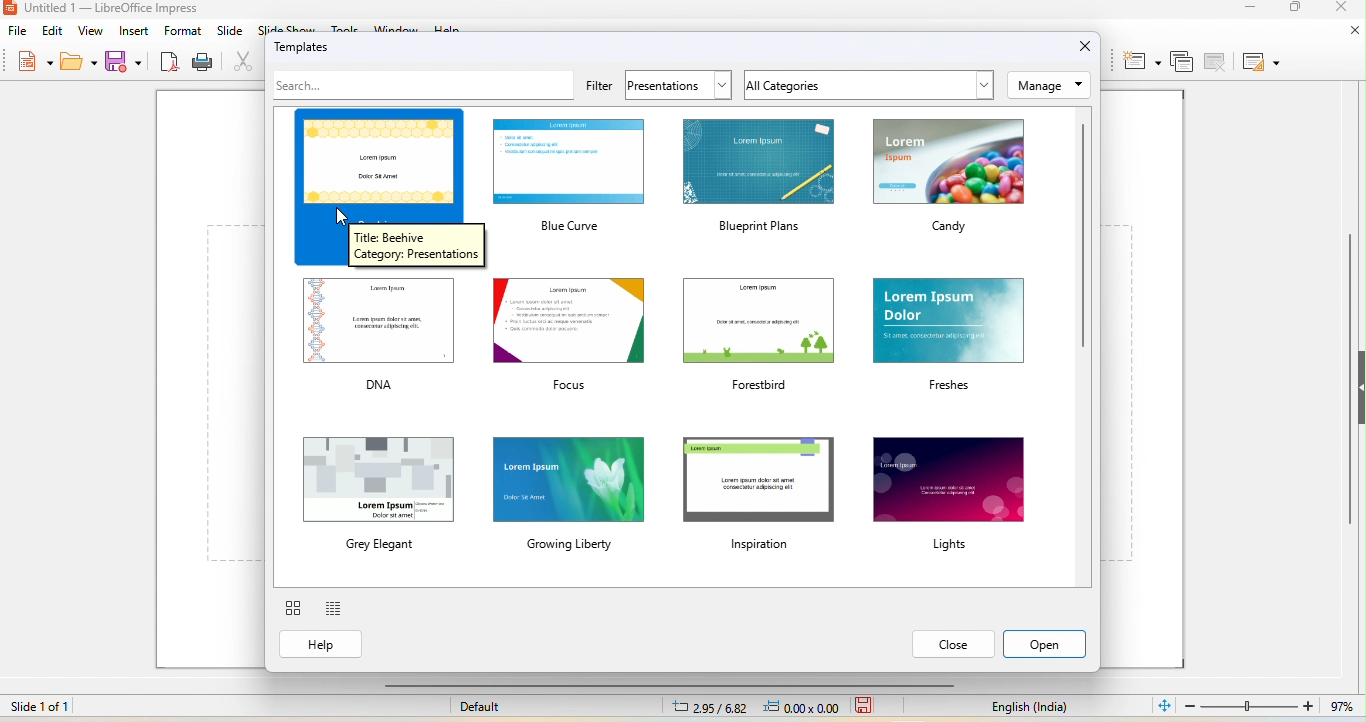  Describe the element at coordinates (1087, 45) in the screenshot. I see `close` at that location.